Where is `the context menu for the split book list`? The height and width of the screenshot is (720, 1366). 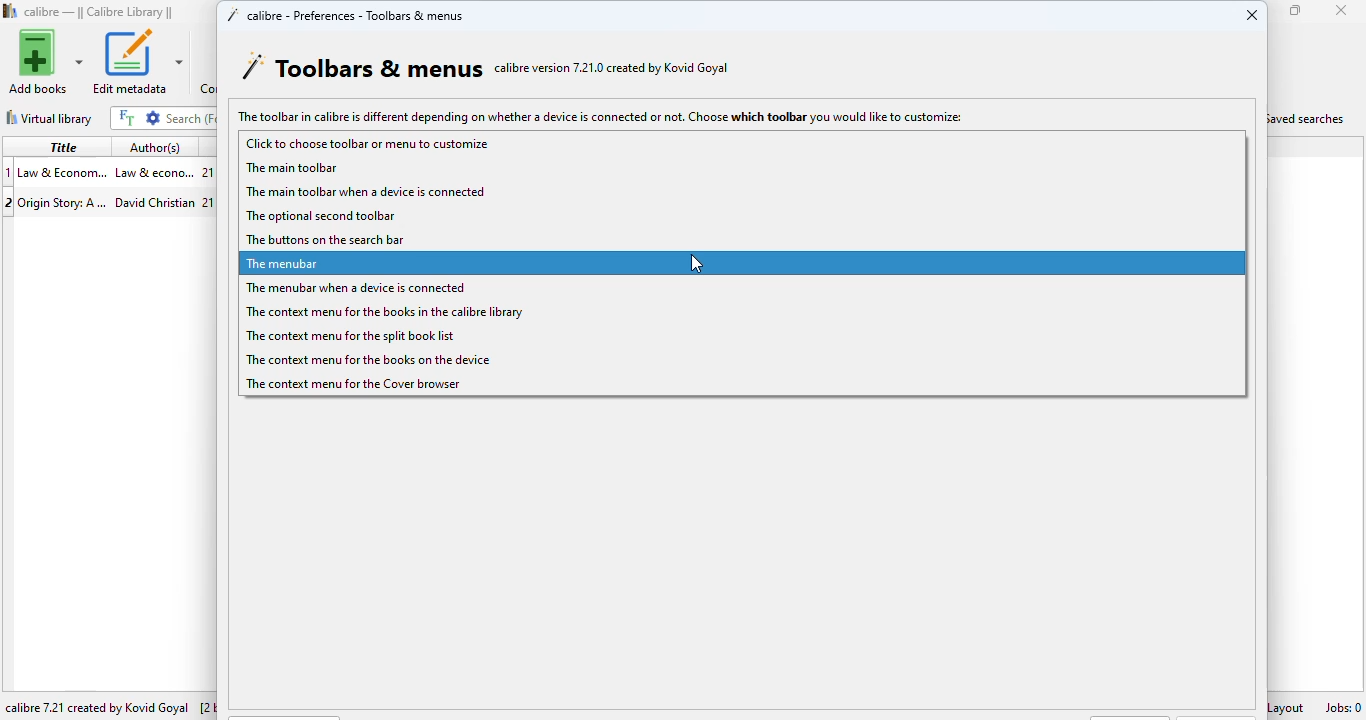
the context menu for the split book list is located at coordinates (350, 336).